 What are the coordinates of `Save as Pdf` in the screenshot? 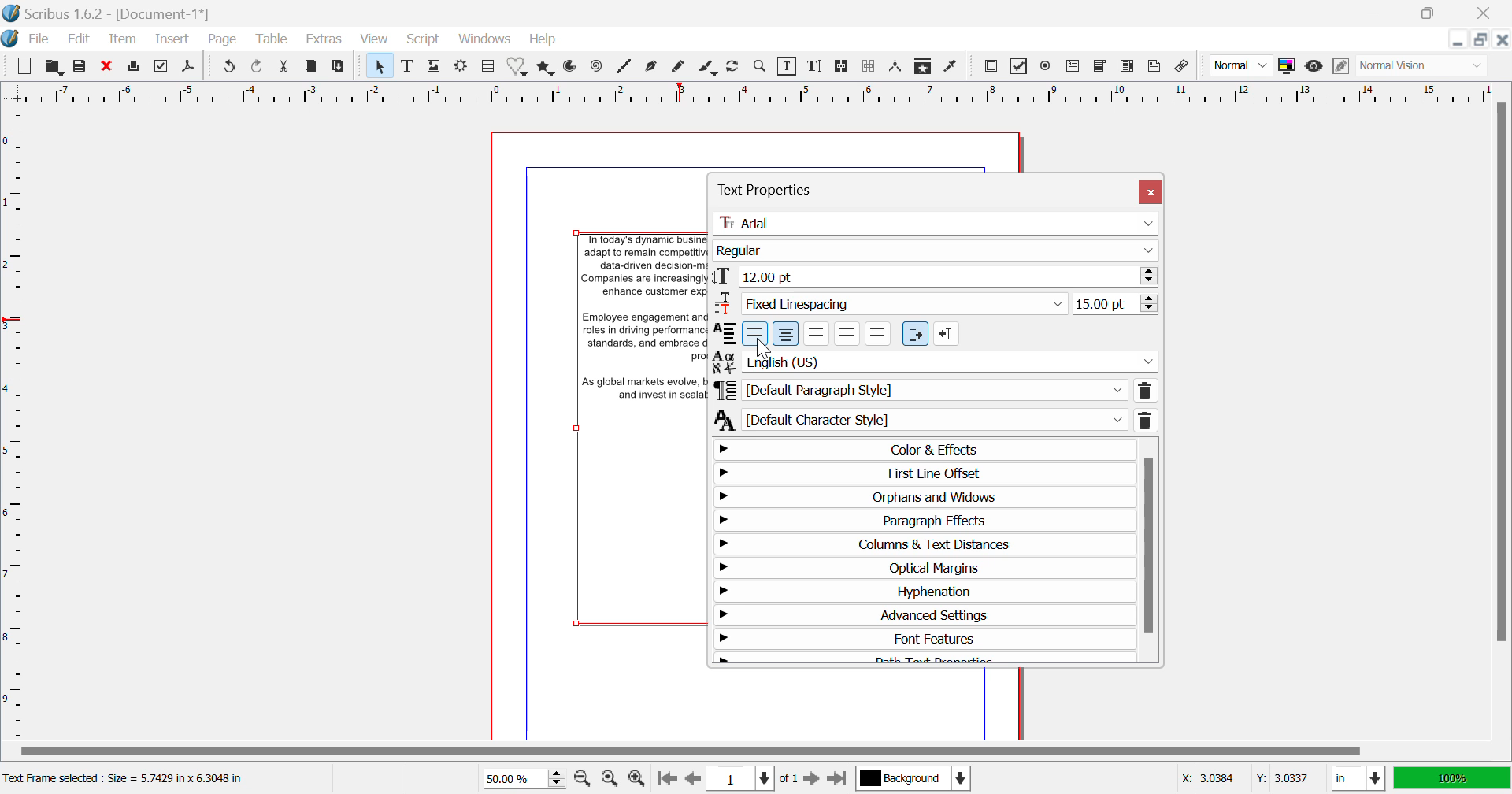 It's located at (189, 67).